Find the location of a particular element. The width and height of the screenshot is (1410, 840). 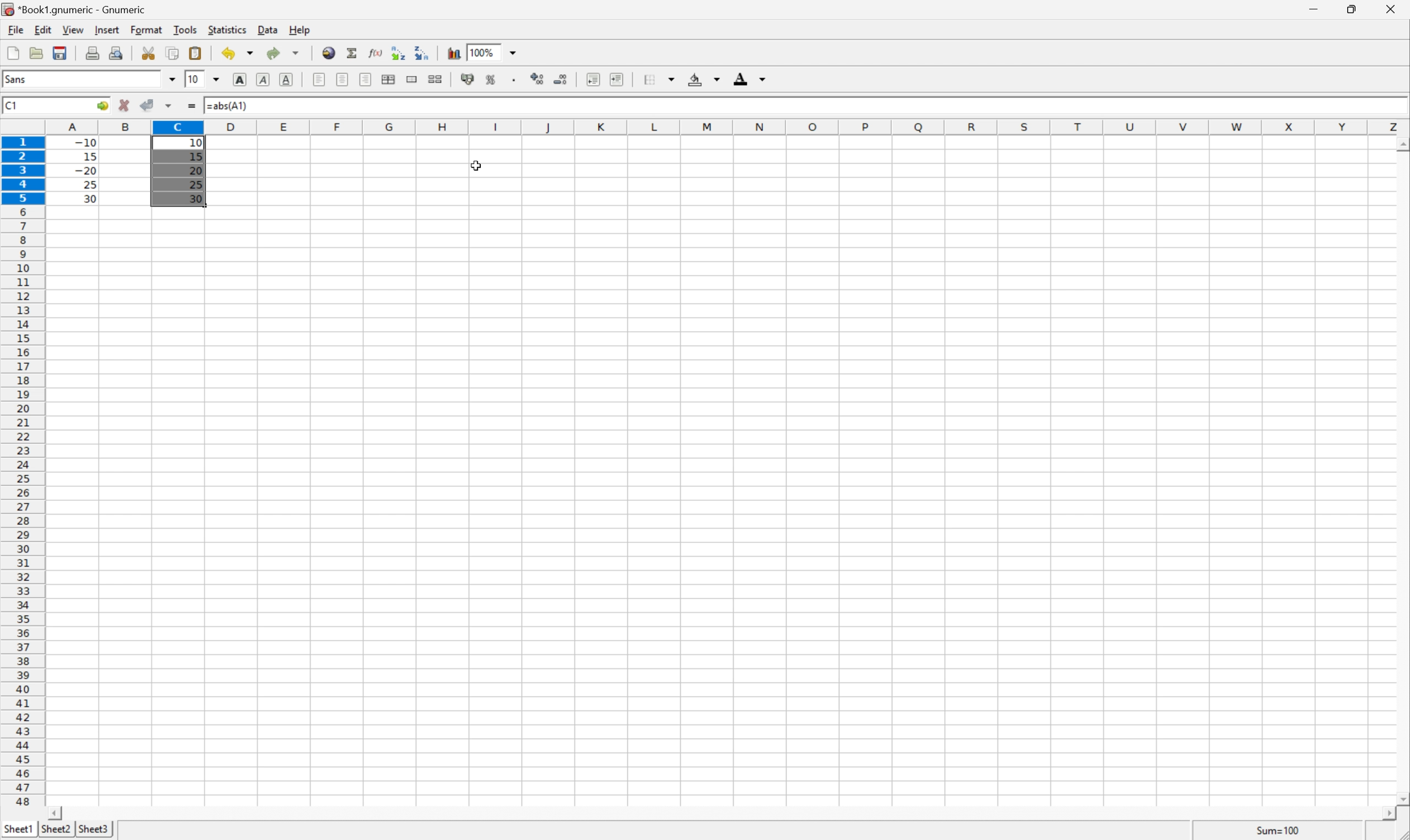

10 is located at coordinates (193, 79).